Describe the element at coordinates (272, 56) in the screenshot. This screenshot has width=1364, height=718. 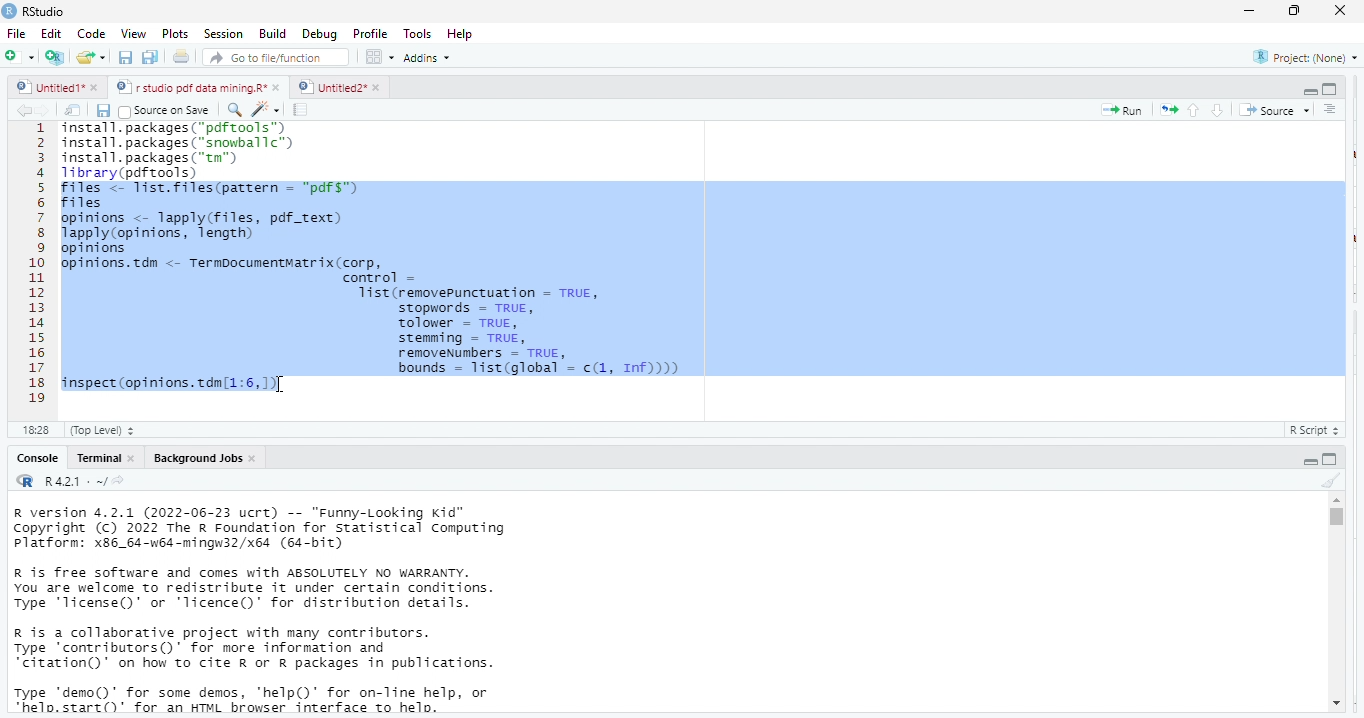
I see `go to file /function` at that location.